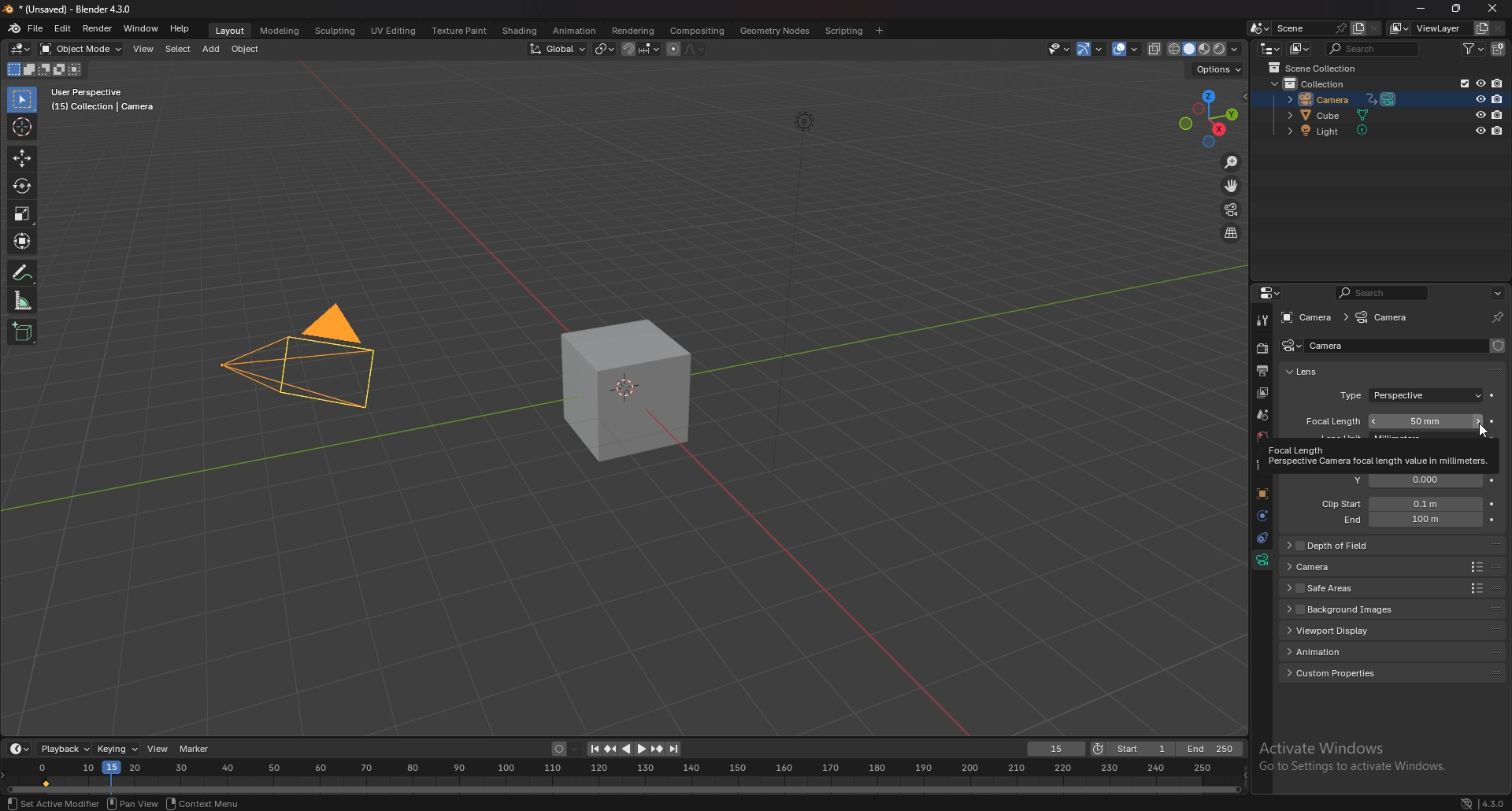  I want to click on compositing, so click(698, 31).